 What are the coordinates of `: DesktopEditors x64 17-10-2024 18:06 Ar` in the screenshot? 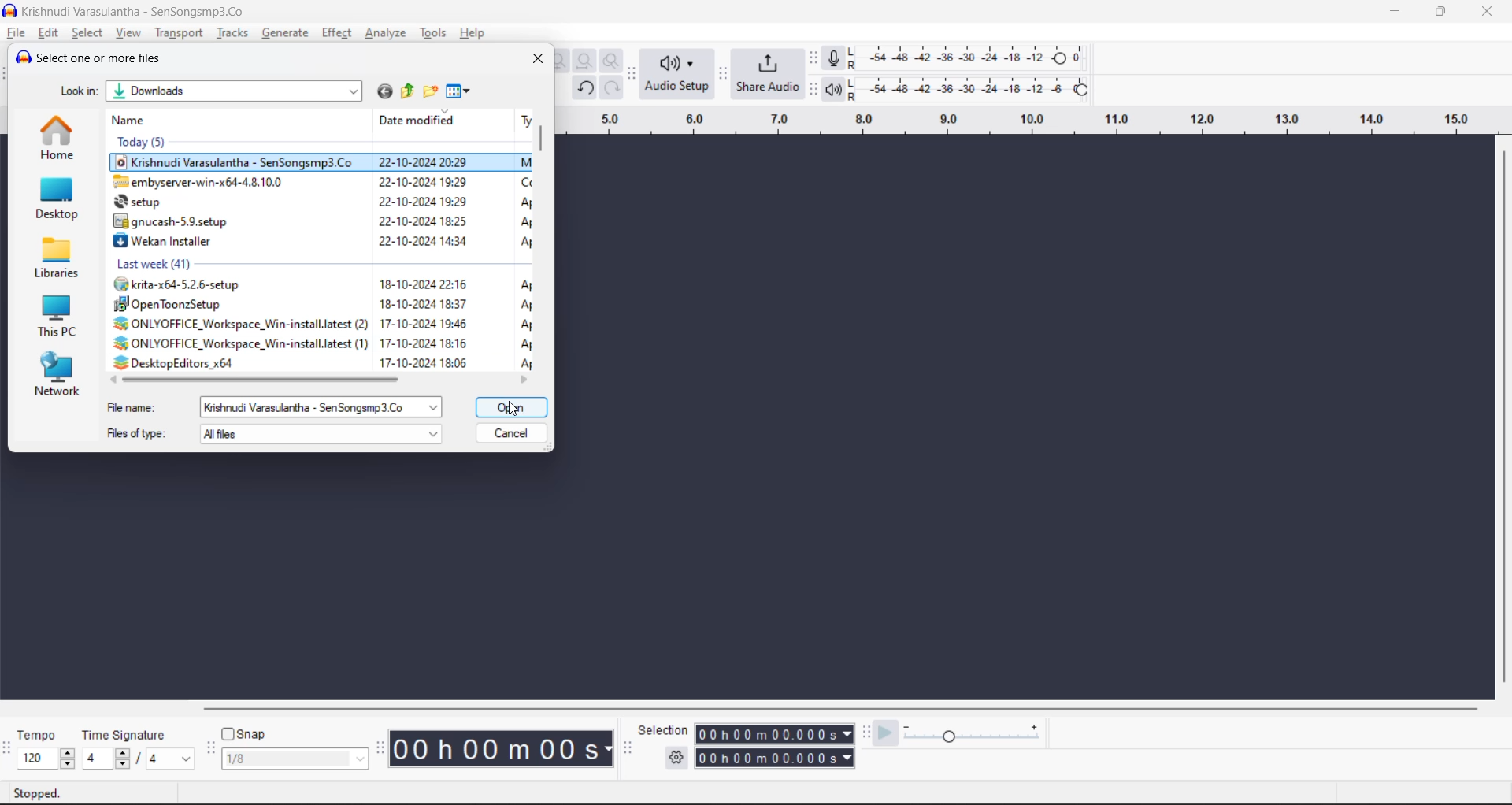 It's located at (323, 362).